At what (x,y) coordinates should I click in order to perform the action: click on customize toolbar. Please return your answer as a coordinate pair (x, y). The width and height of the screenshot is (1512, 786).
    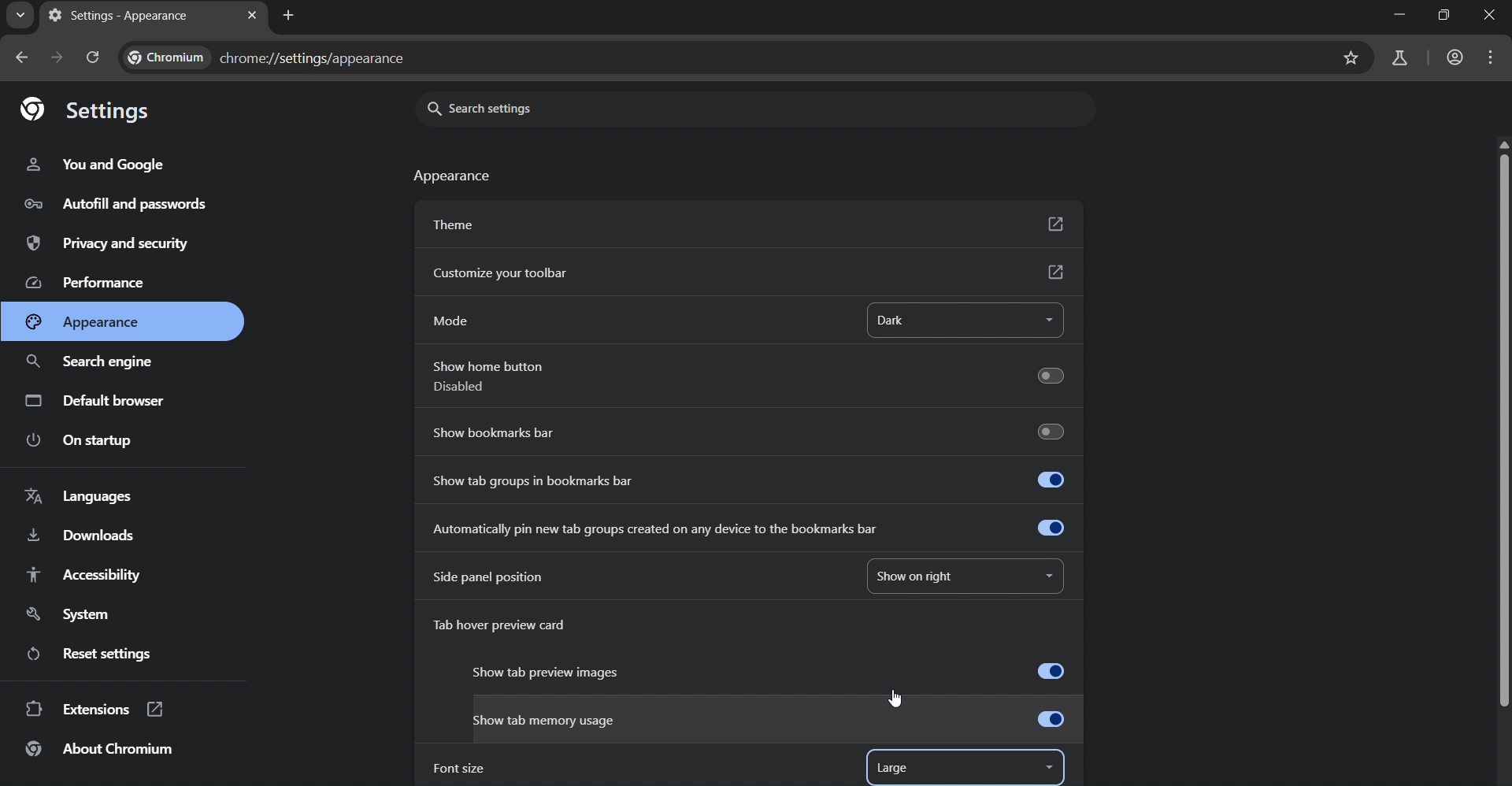
    Looking at the image, I should click on (747, 273).